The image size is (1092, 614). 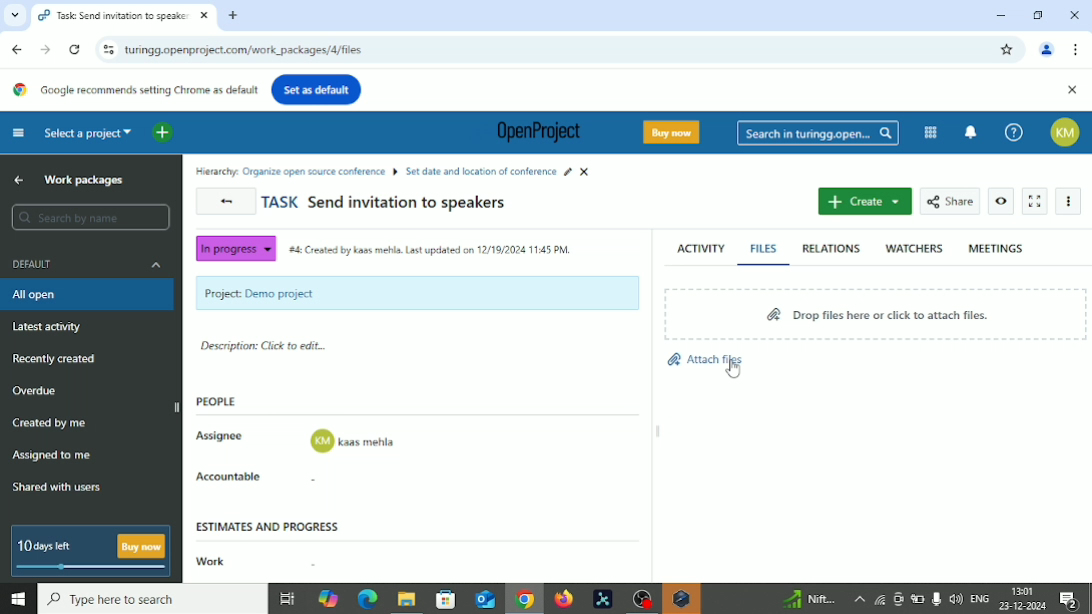 I want to click on Collapse project menu, so click(x=19, y=133).